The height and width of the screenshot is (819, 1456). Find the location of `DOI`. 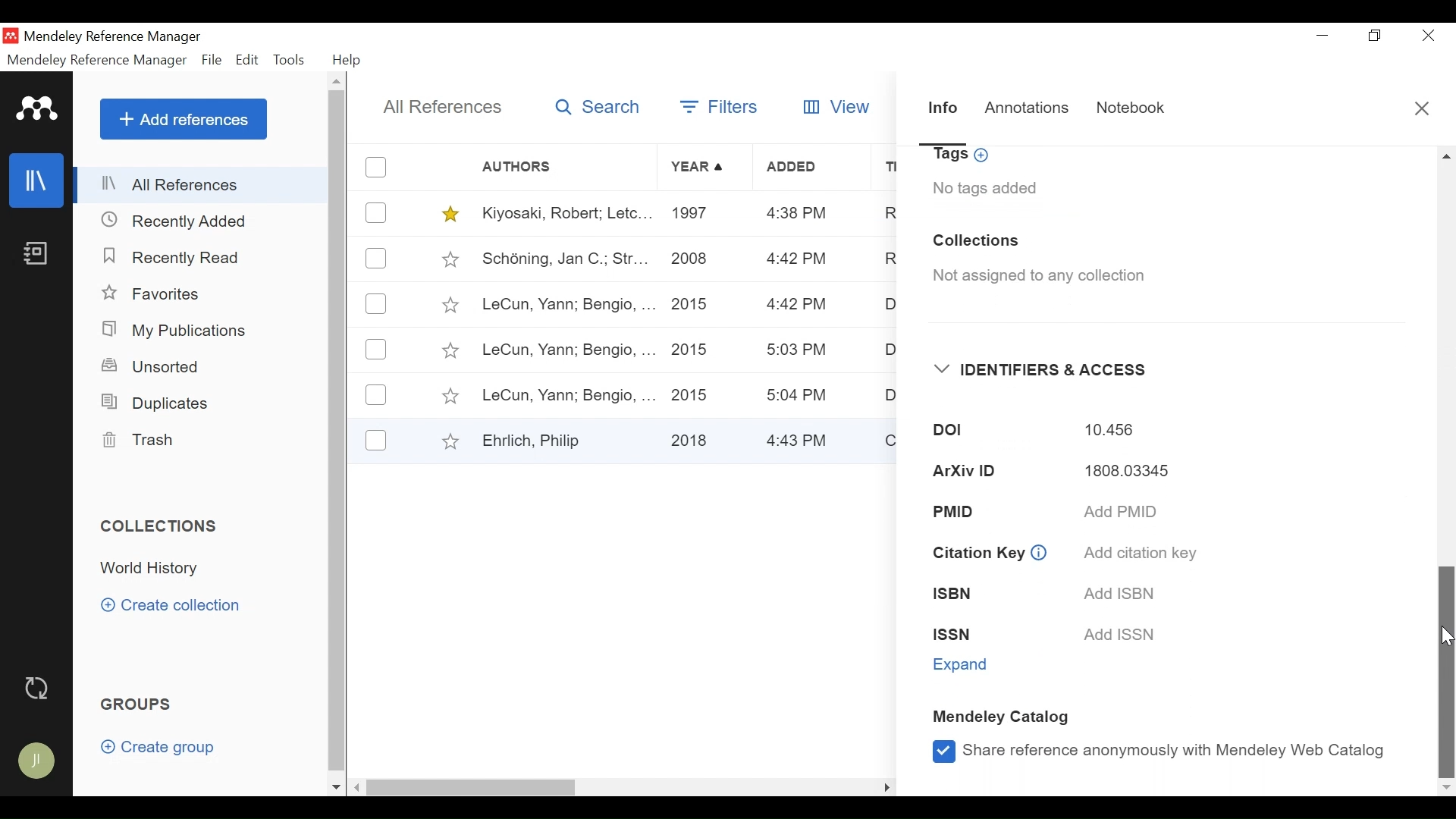

DOI is located at coordinates (937, 431).